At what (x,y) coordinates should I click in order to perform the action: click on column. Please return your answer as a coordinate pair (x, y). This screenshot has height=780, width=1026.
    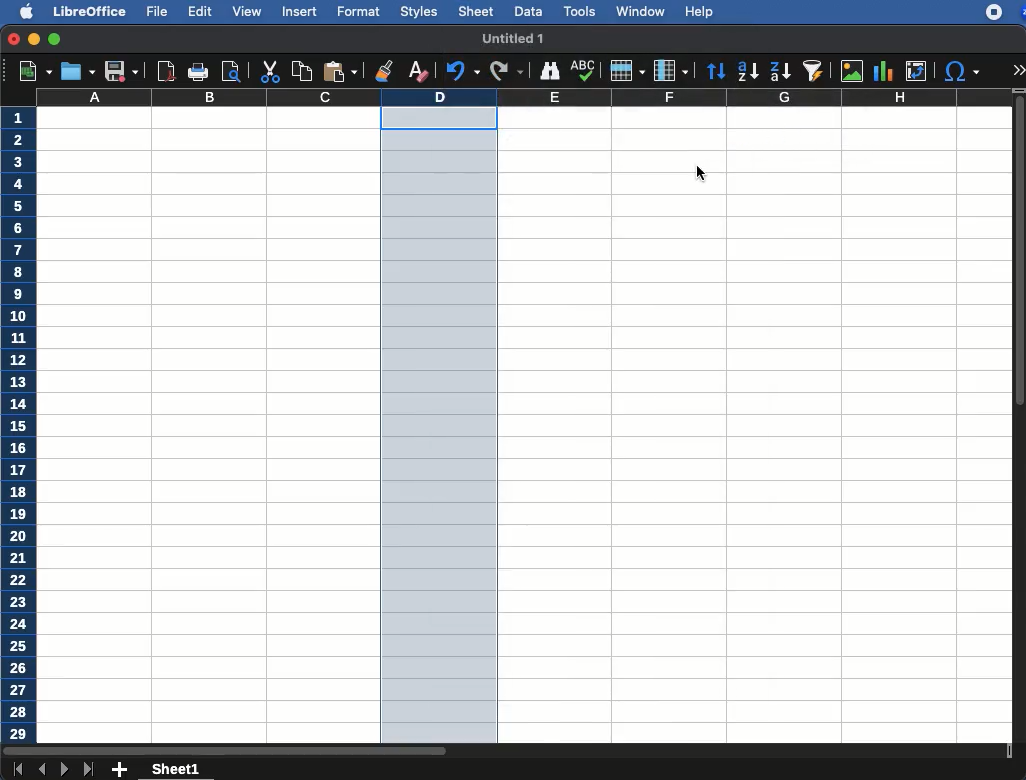
    Looking at the image, I should click on (673, 70).